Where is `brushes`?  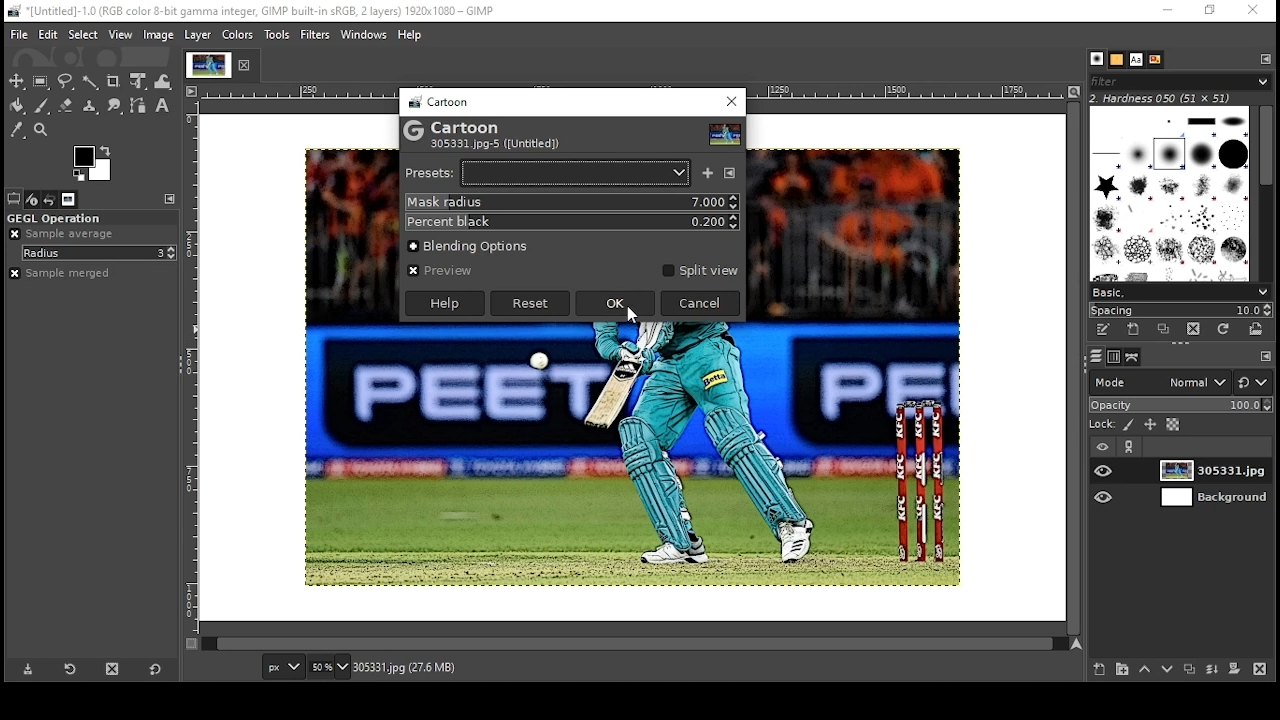 brushes is located at coordinates (1172, 196).